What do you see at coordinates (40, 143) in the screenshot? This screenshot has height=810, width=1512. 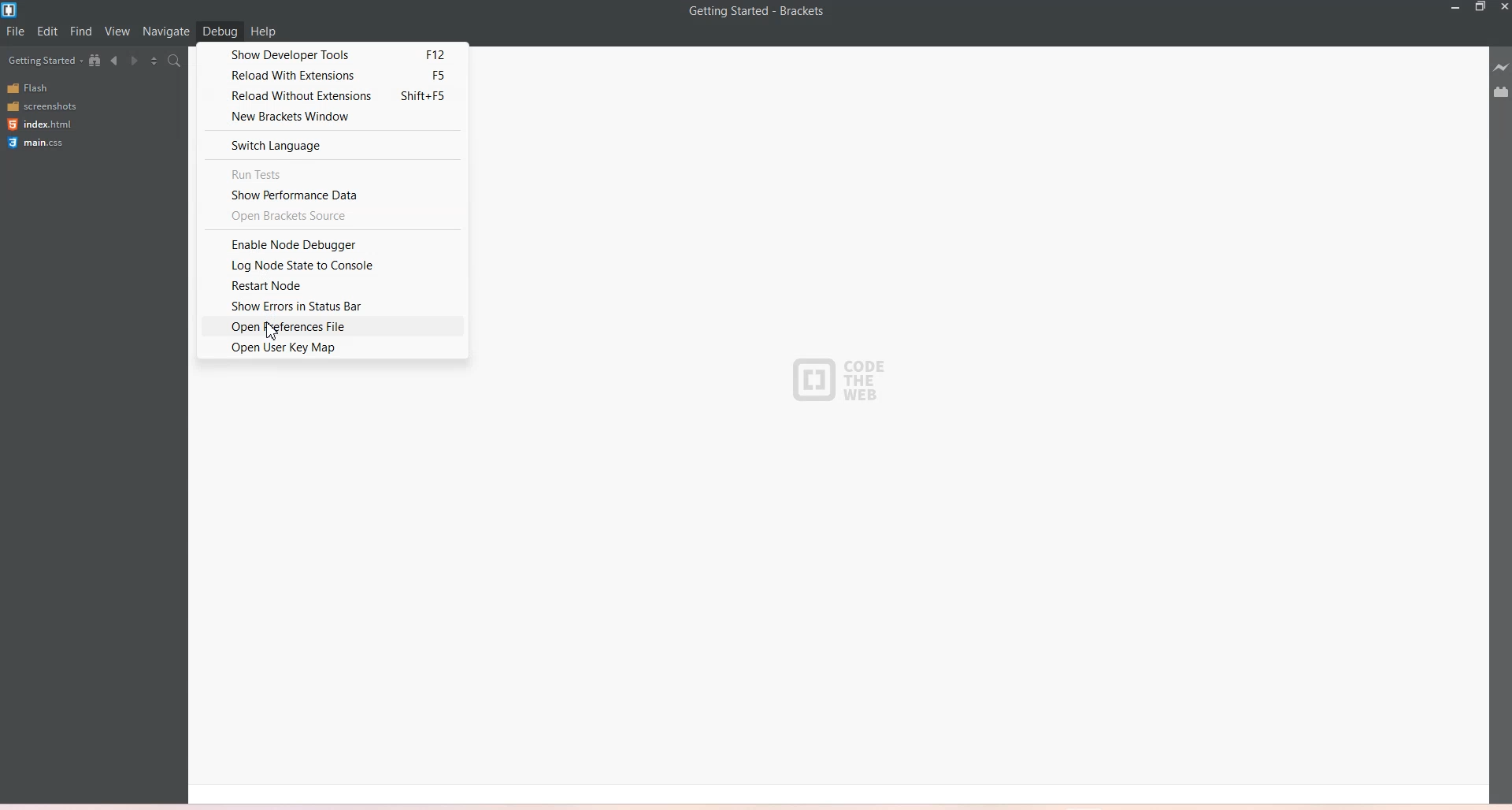 I see `main.css` at bounding box center [40, 143].